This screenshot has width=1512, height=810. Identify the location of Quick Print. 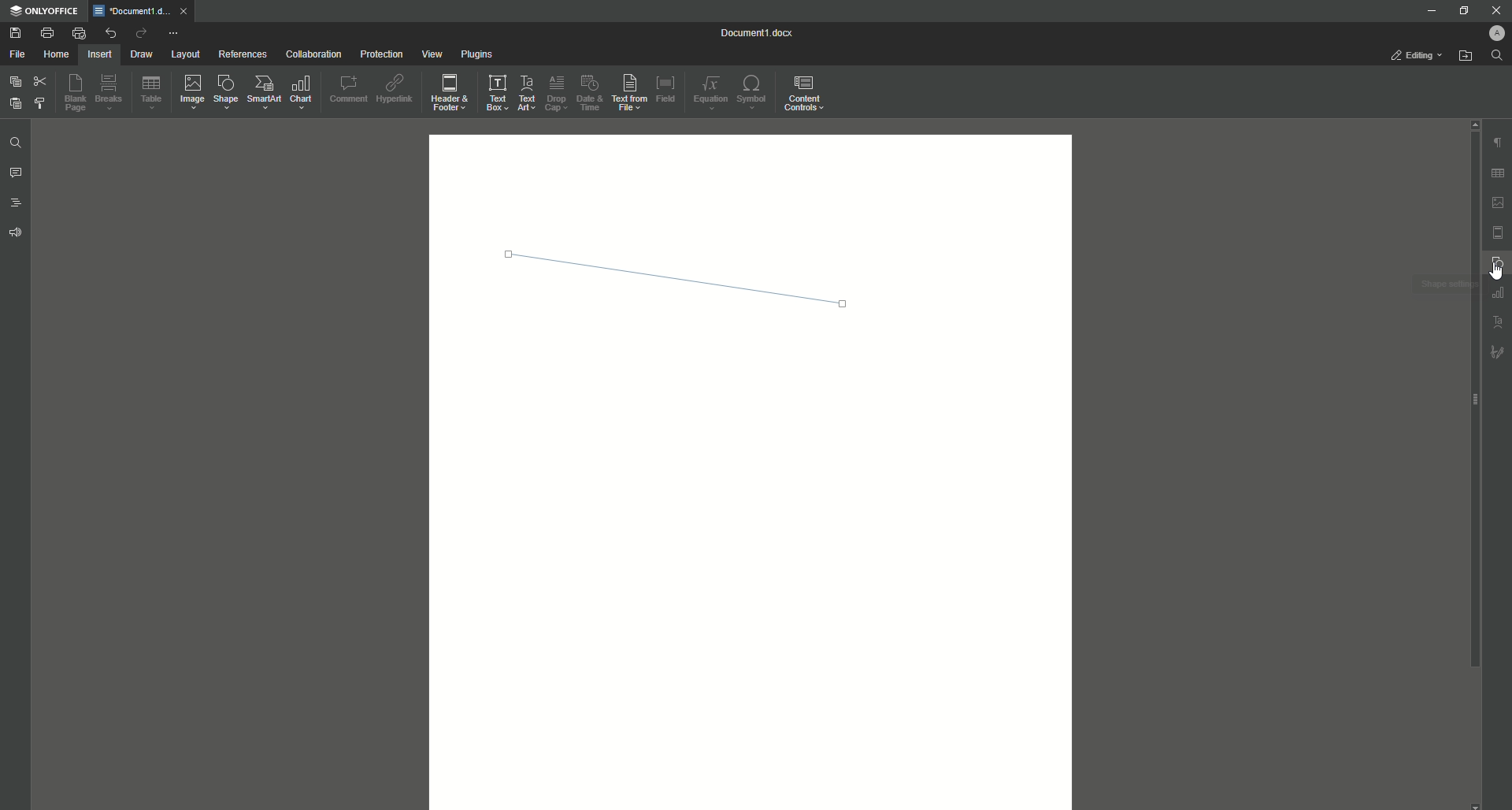
(78, 32).